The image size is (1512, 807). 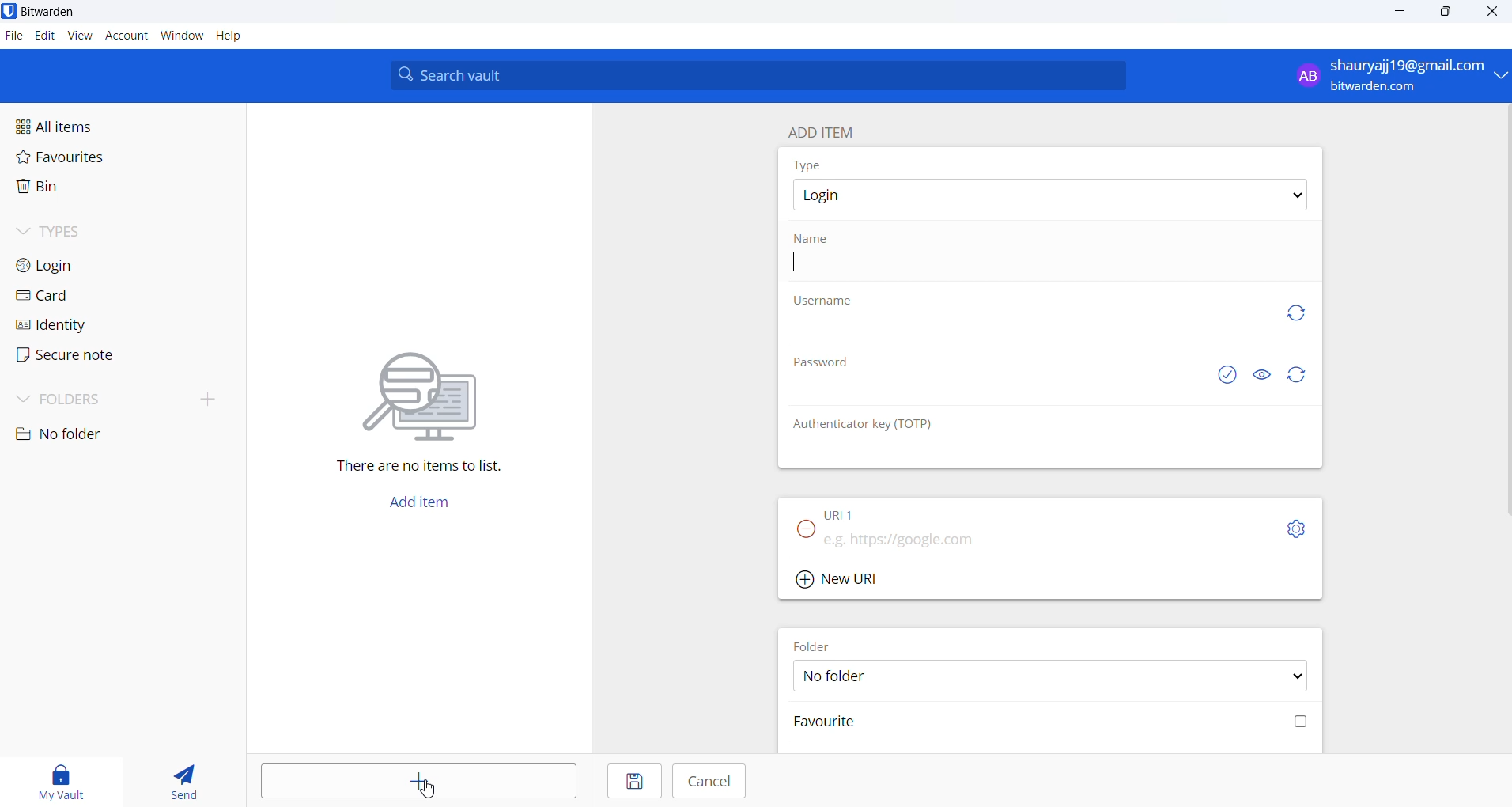 I want to click on Save, so click(x=631, y=782).